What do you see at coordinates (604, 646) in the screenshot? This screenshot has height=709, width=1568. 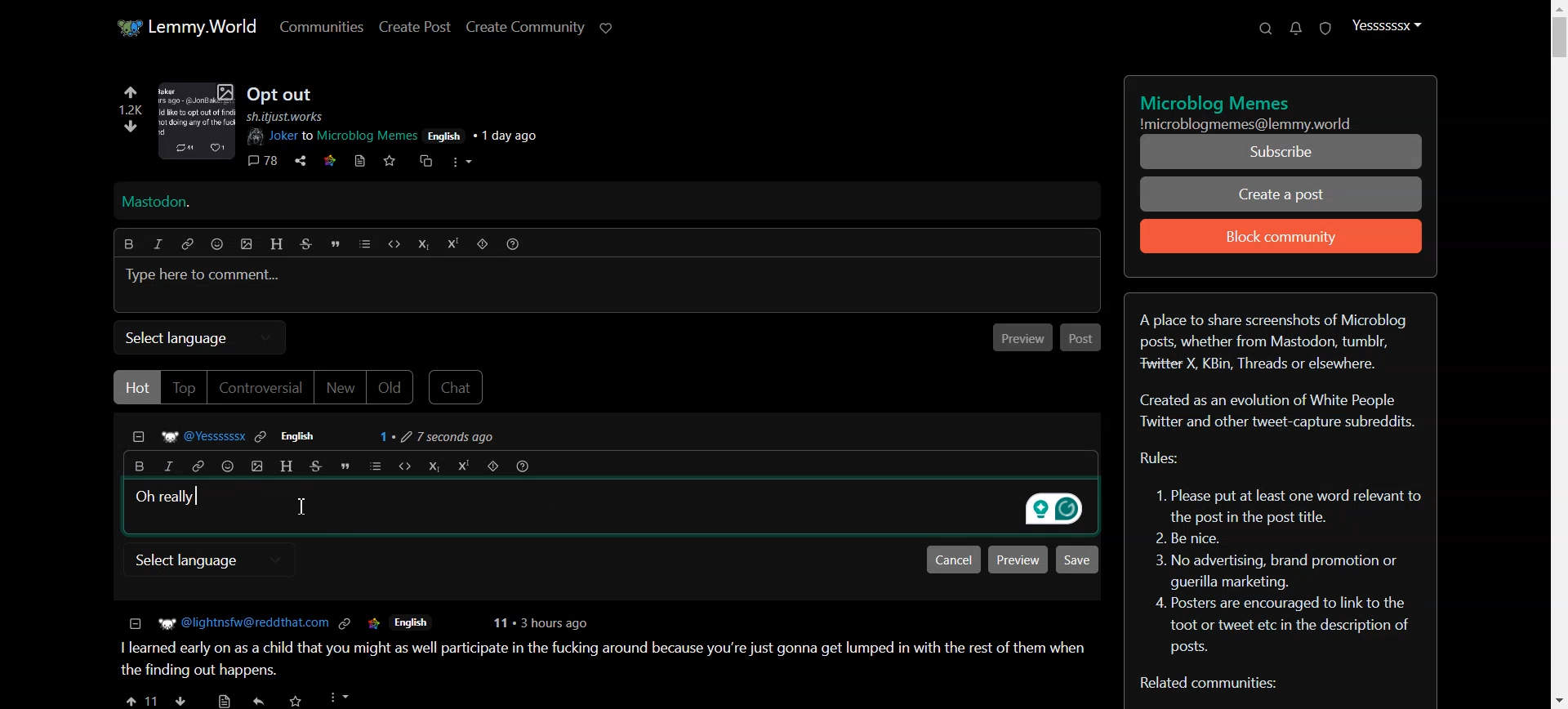 I see `posts` at bounding box center [604, 646].